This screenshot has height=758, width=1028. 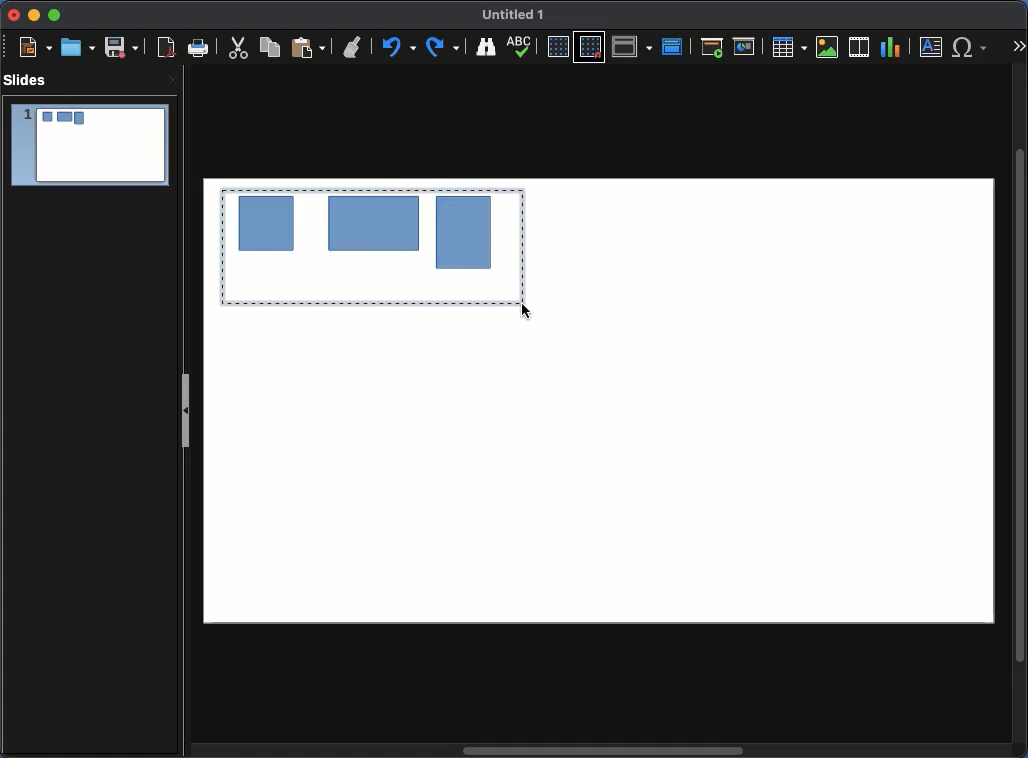 I want to click on Copy, so click(x=273, y=47).